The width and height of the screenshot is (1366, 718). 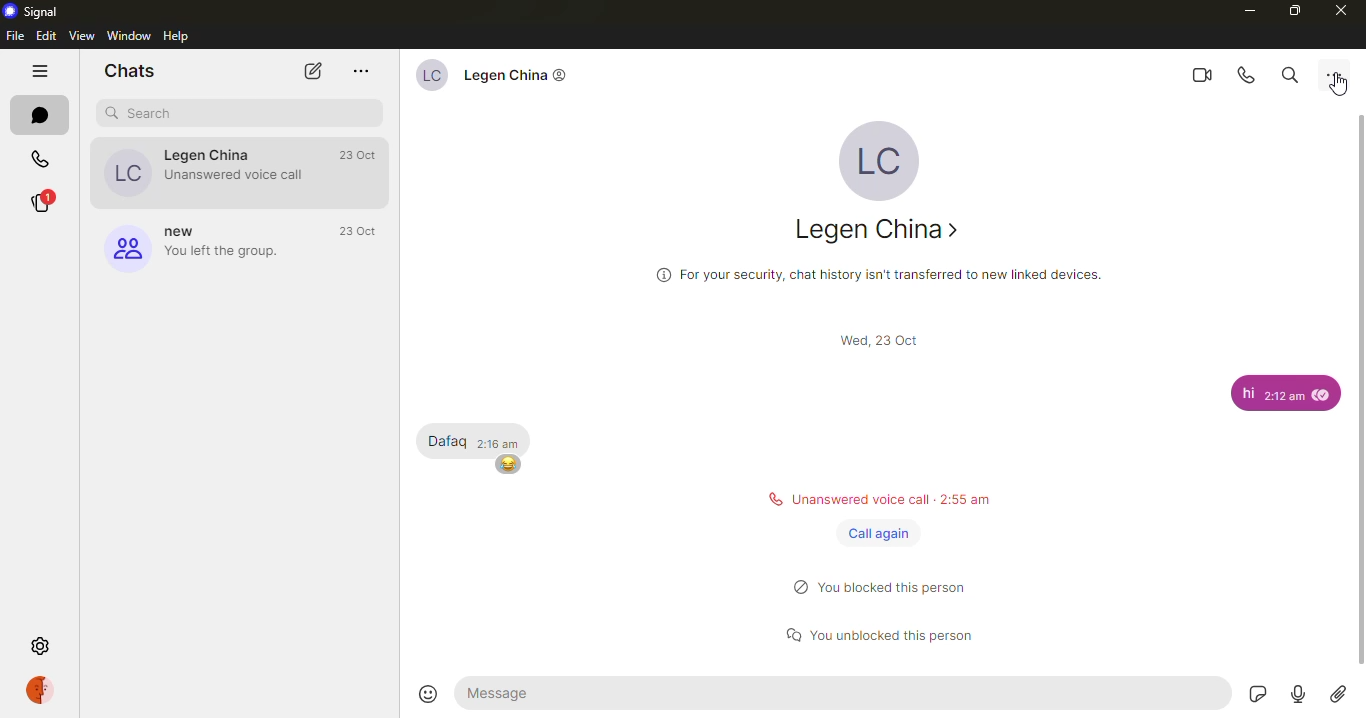 I want to click on minimize, so click(x=1248, y=10).